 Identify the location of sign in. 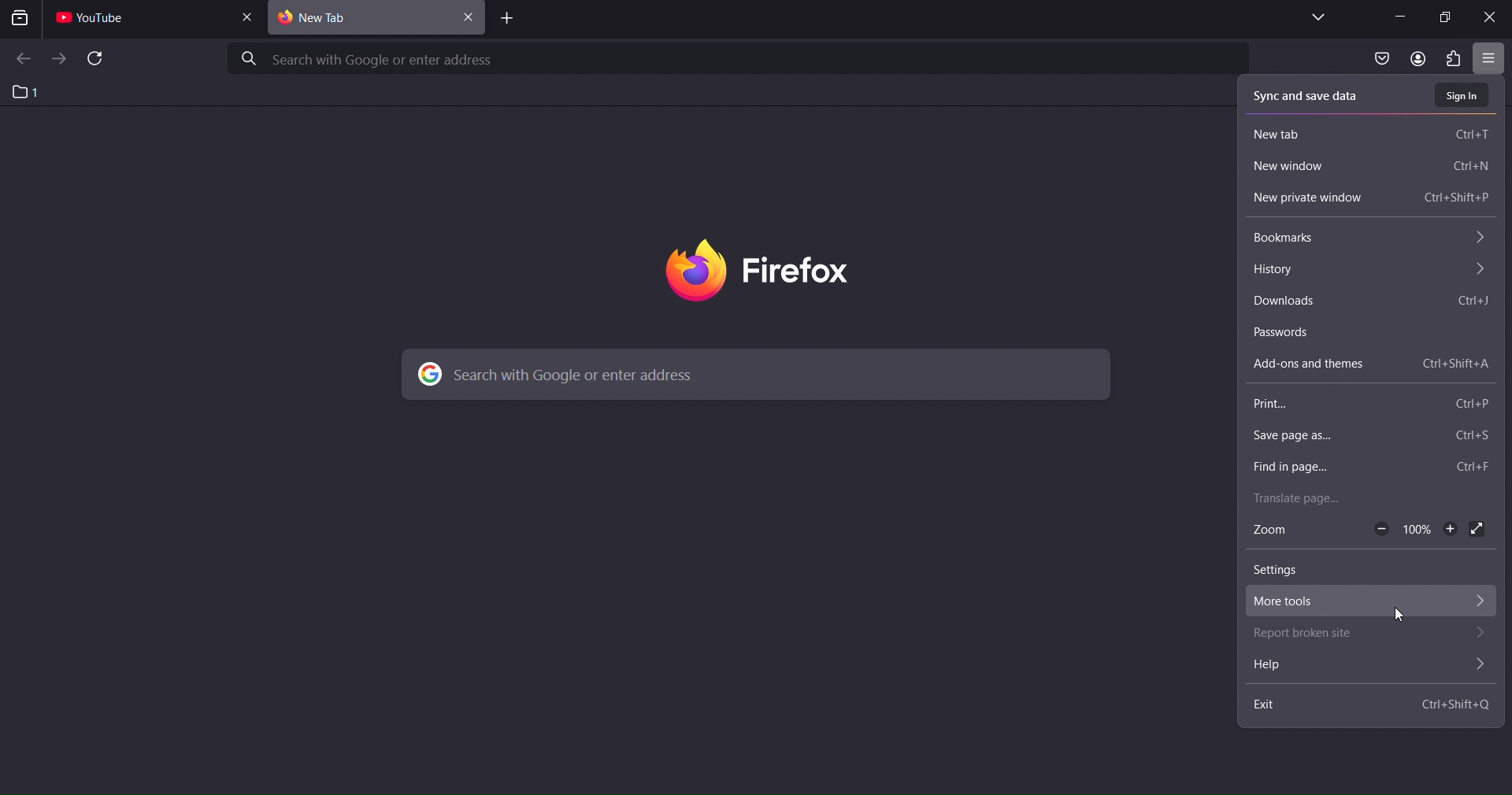
(1463, 94).